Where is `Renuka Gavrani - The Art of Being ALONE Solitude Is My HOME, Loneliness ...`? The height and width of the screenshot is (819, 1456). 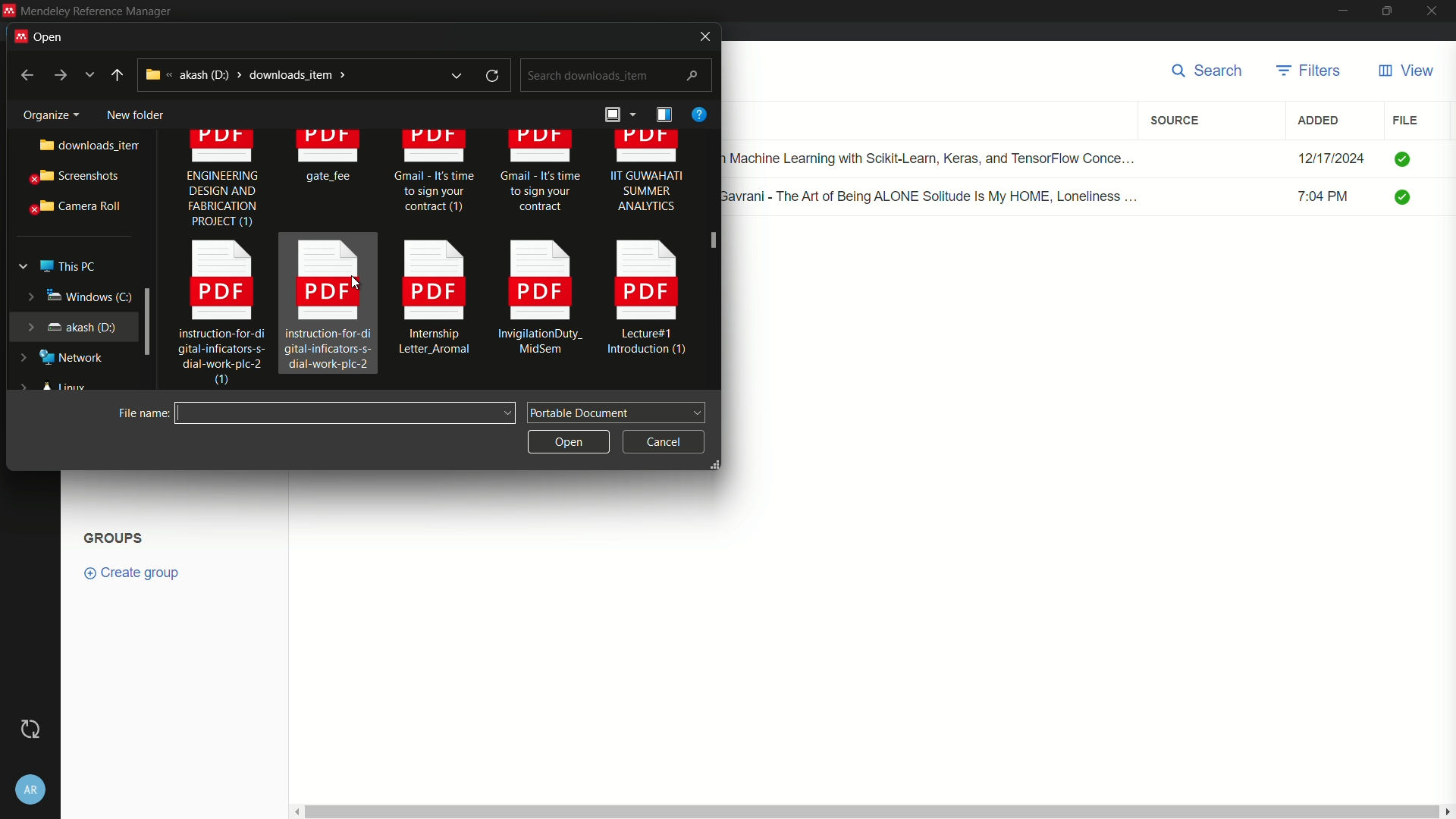 Renuka Gavrani - The Art of Being ALONE Solitude Is My HOME, Loneliness ... is located at coordinates (937, 195).